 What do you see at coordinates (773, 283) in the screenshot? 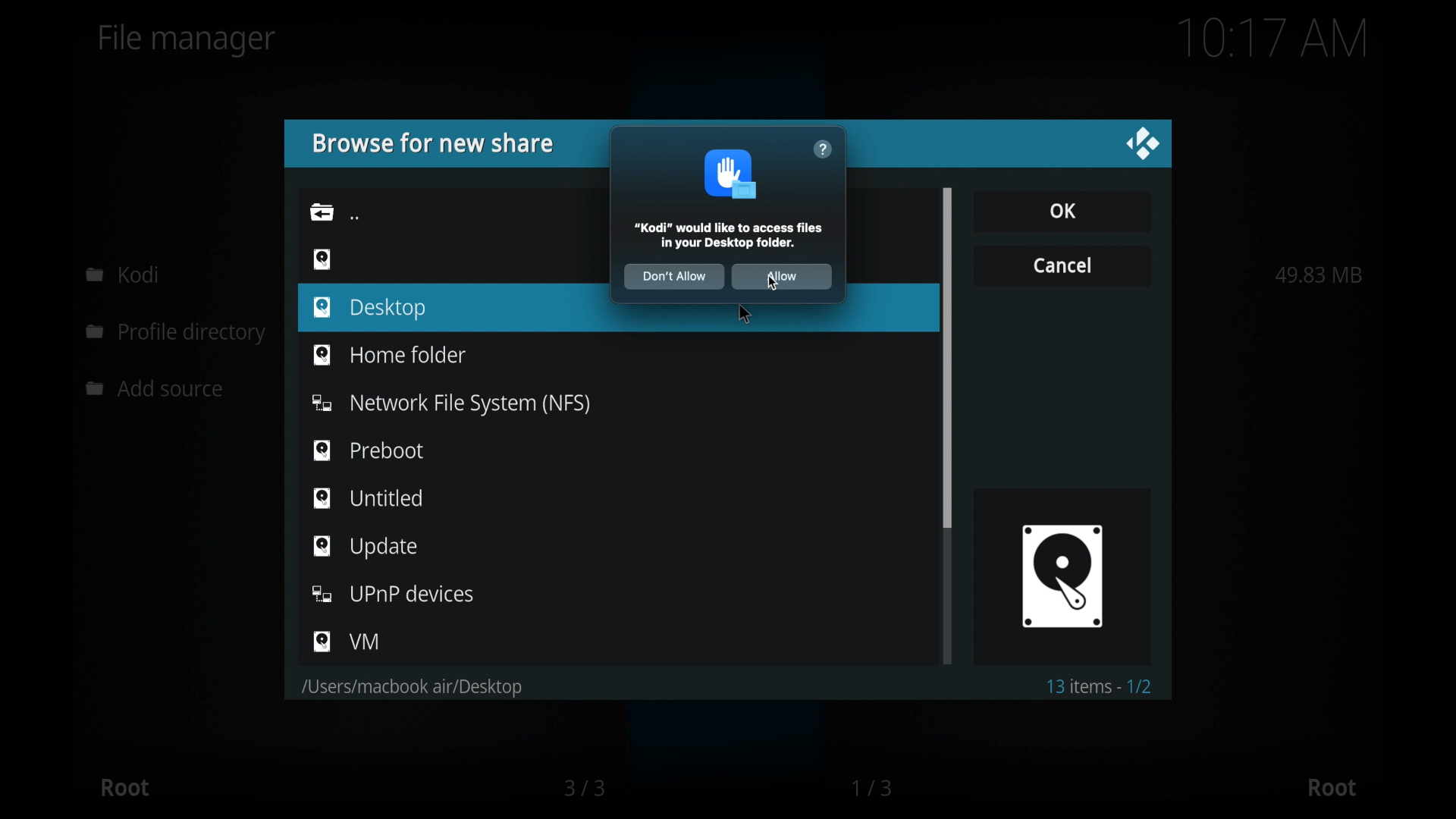
I see `cursor` at bounding box center [773, 283].